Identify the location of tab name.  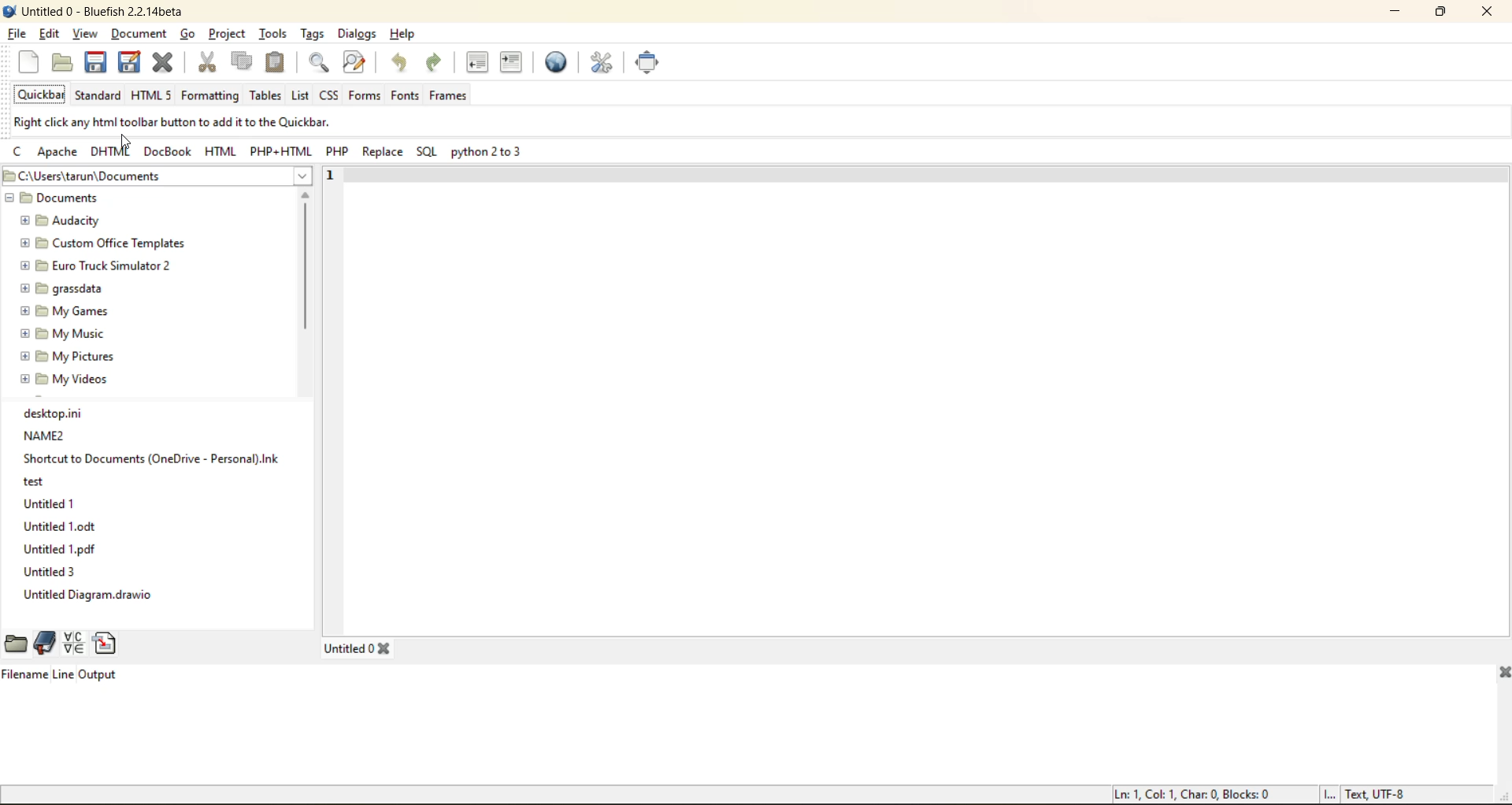
(357, 647).